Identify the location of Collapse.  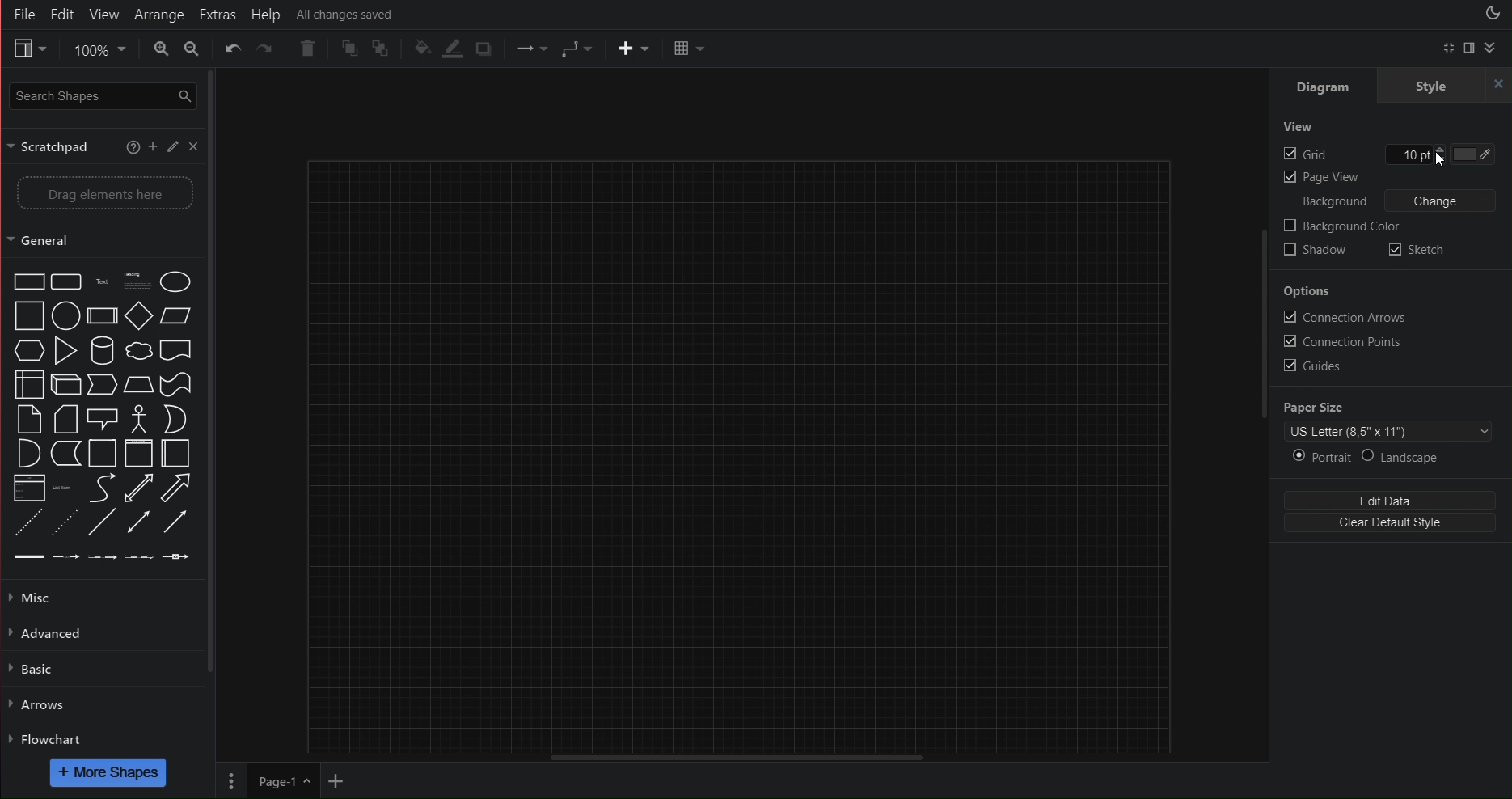
(1492, 48).